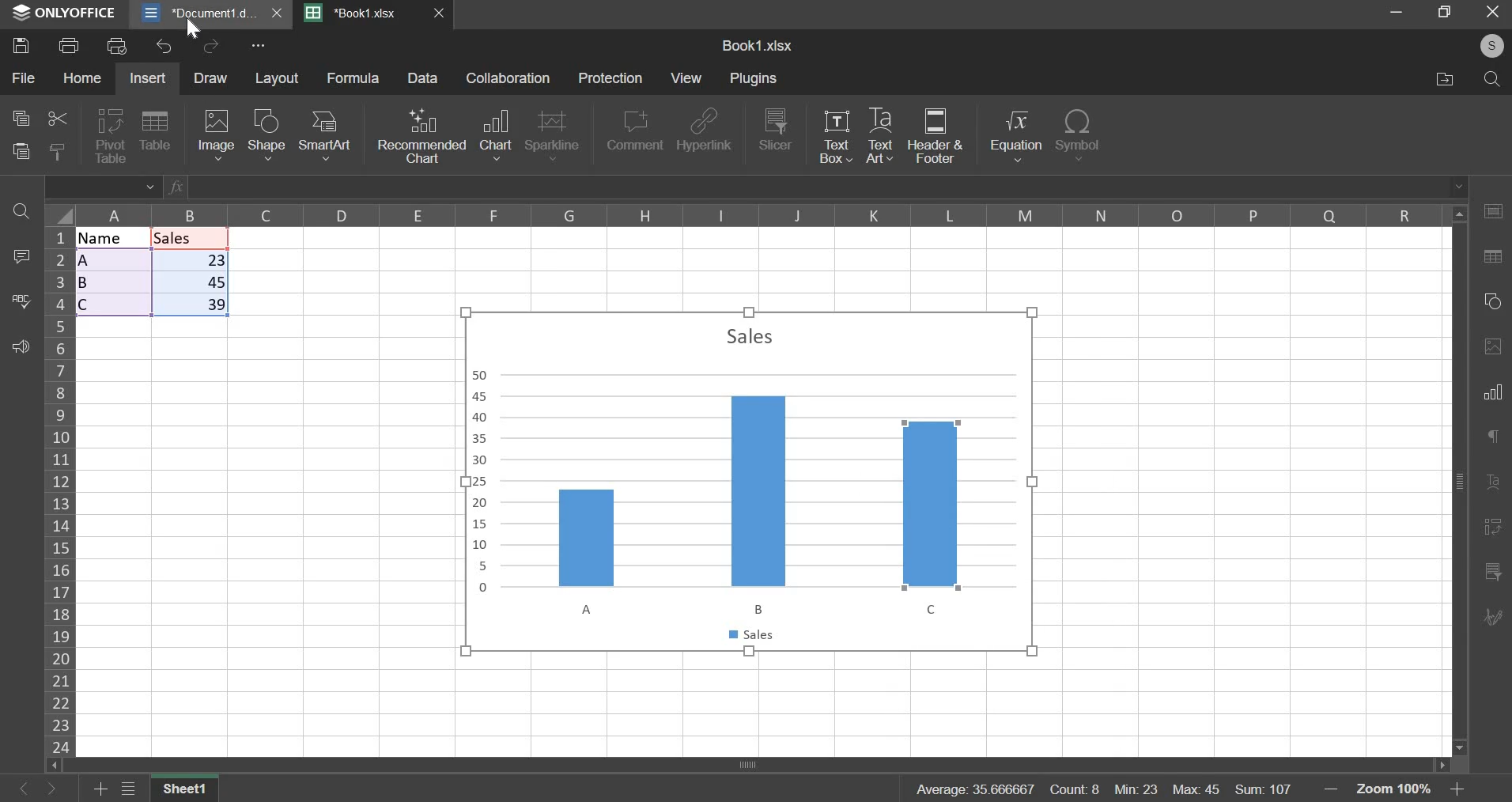  What do you see at coordinates (1394, 13) in the screenshot?
I see `minimize` at bounding box center [1394, 13].